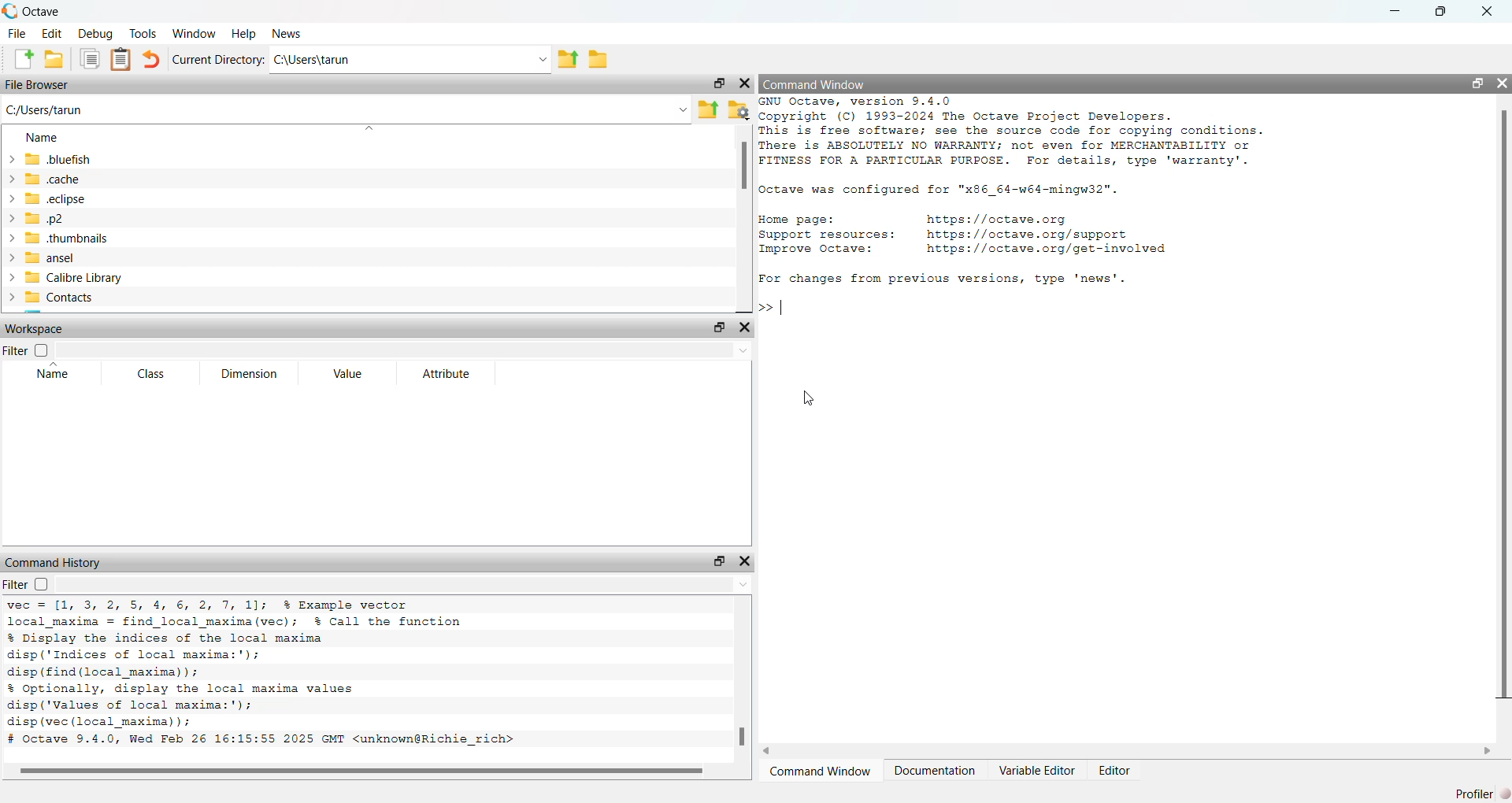 Image resolution: width=1512 pixels, height=803 pixels. Describe the element at coordinates (1501, 83) in the screenshot. I see `Hide Widget` at that location.